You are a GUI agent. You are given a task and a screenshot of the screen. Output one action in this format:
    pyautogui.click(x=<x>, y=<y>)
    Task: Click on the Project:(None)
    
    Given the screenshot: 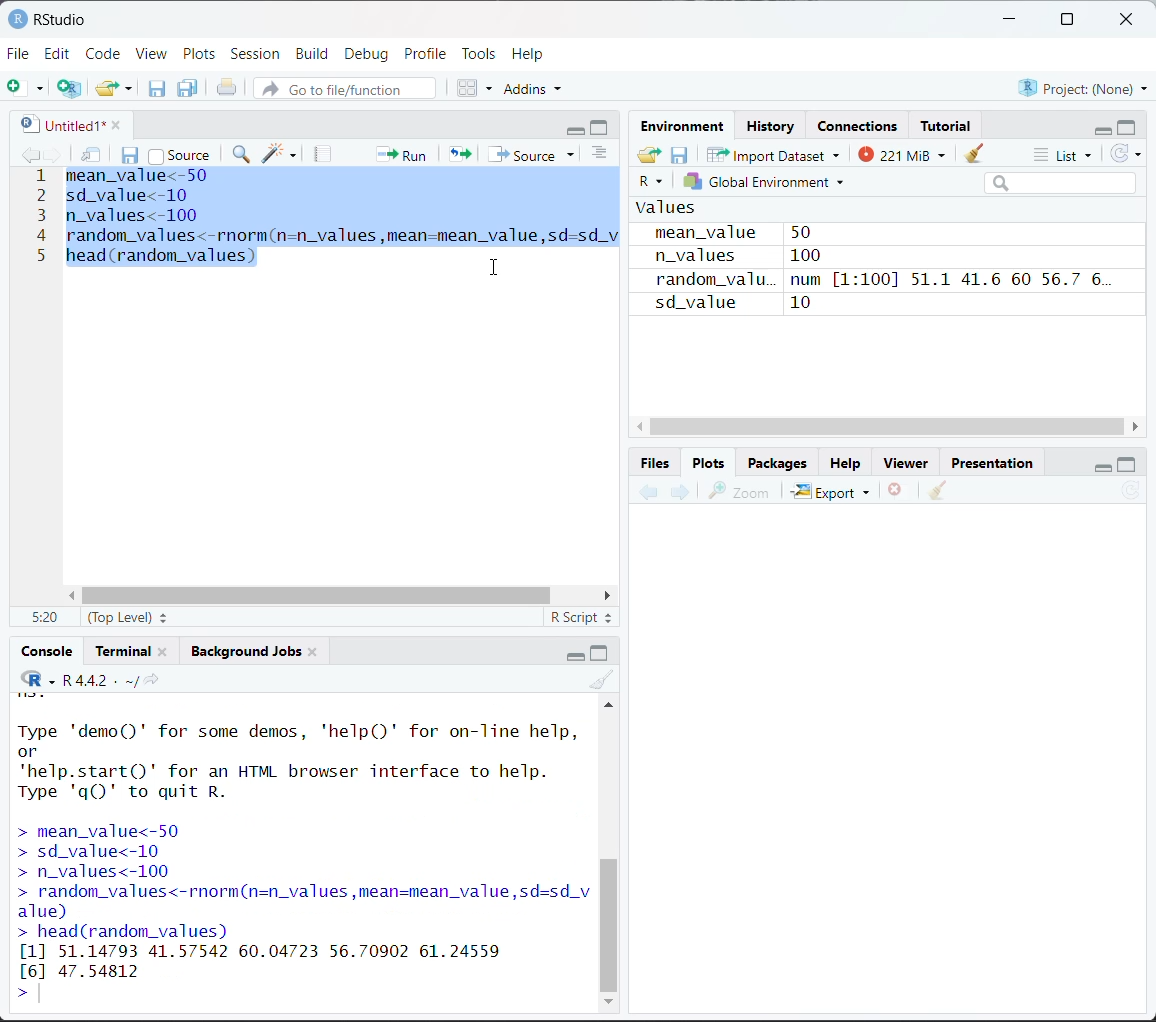 What is the action you would take?
    pyautogui.click(x=1082, y=86)
    